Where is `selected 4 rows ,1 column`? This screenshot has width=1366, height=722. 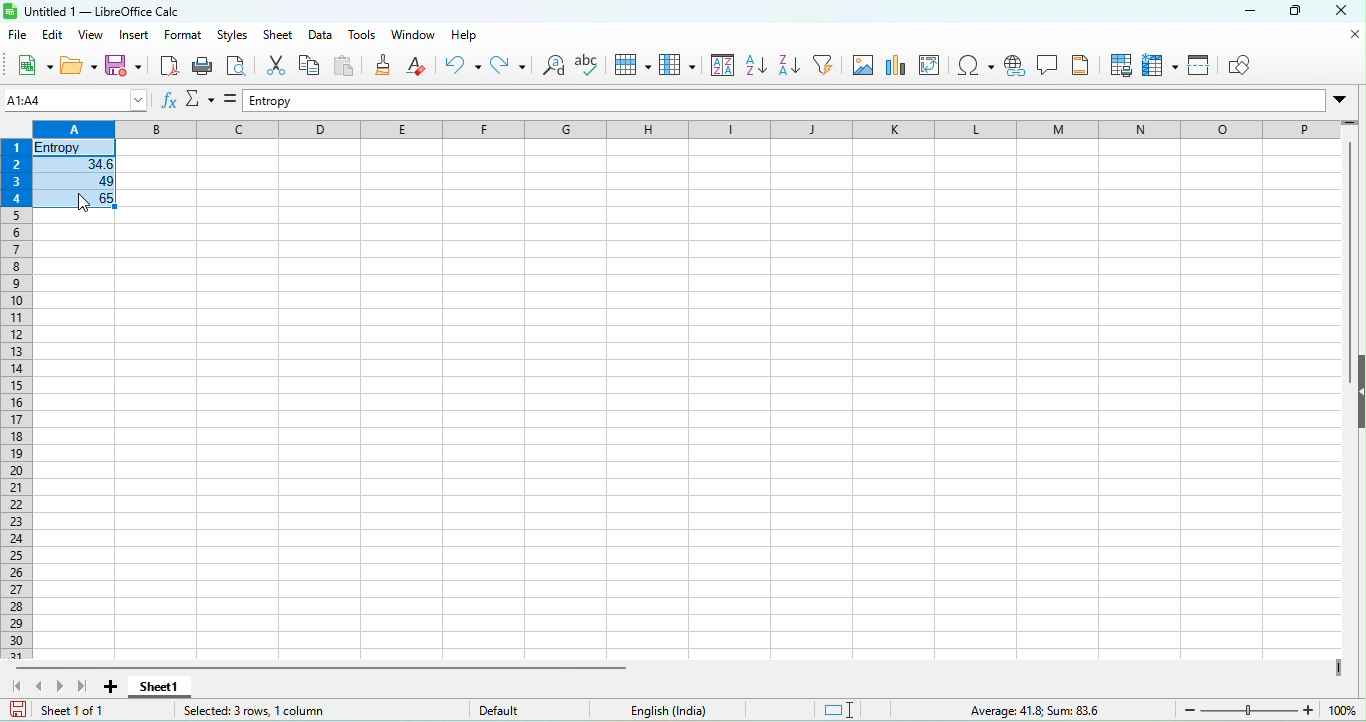 selected 4 rows ,1 column is located at coordinates (264, 712).